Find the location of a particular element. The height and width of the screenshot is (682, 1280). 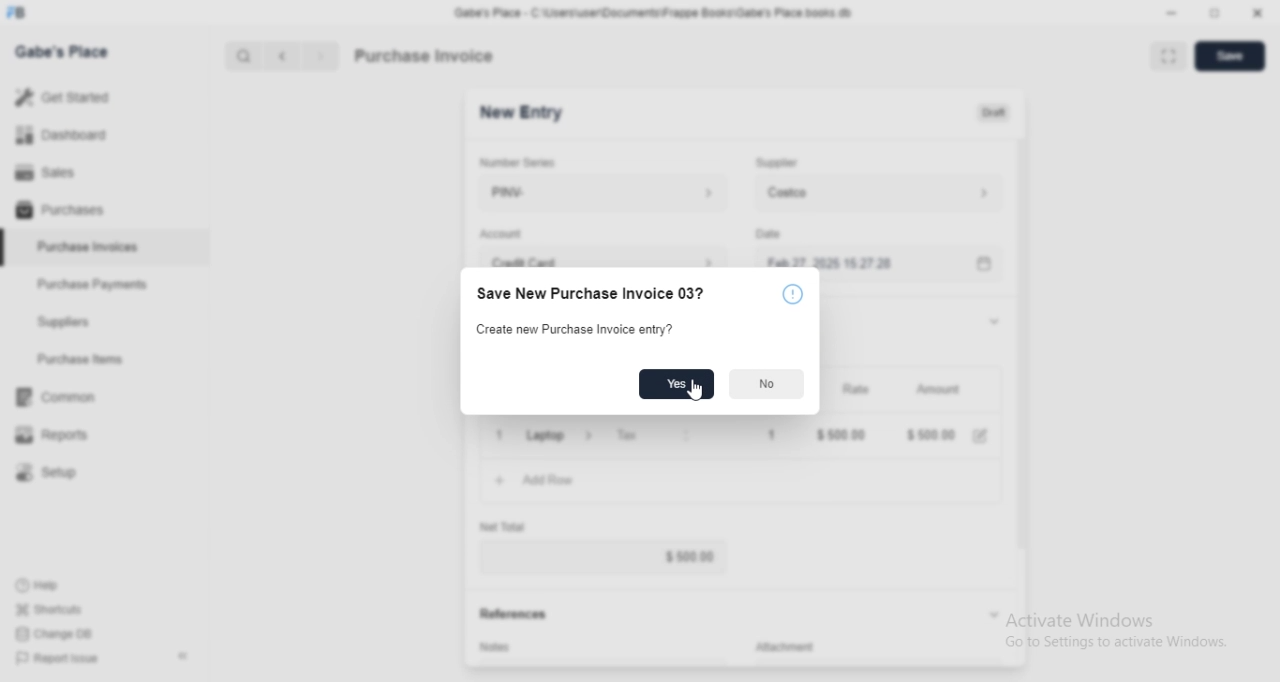

Laptop is located at coordinates (559, 435).